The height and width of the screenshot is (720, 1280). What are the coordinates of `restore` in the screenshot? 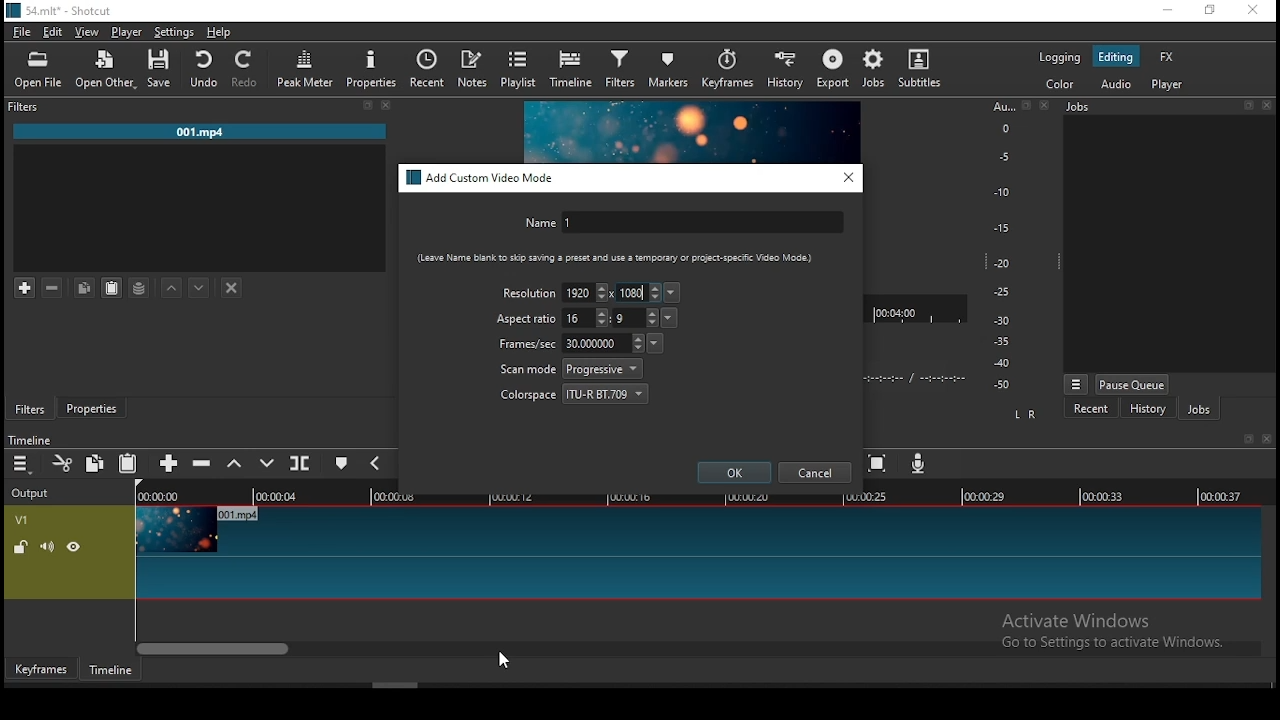 It's located at (367, 106).